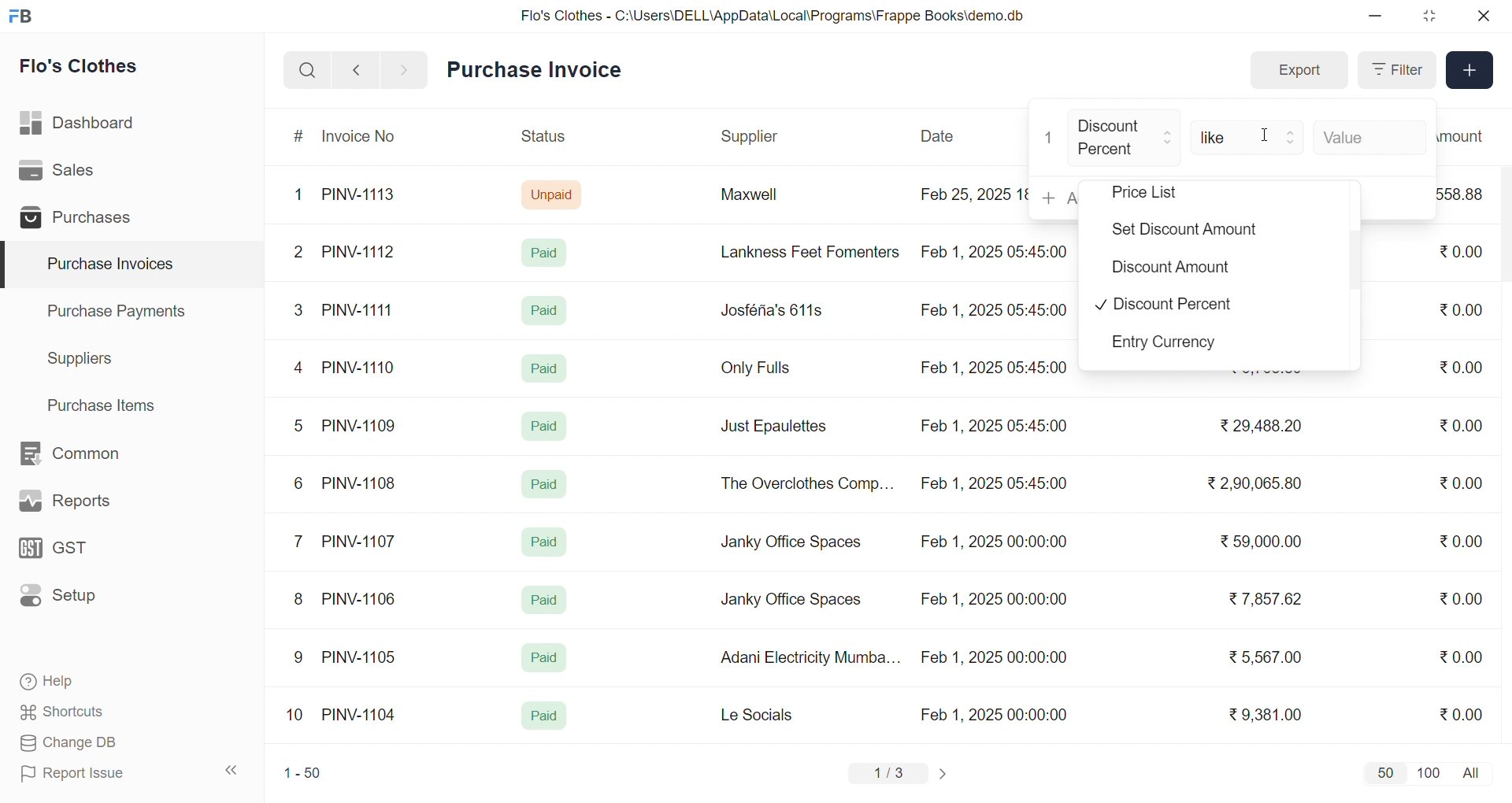  Describe the element at coordinates (998, 250) in the screenshot. I see `Feb 1, 2025 05:45:00` at that location.